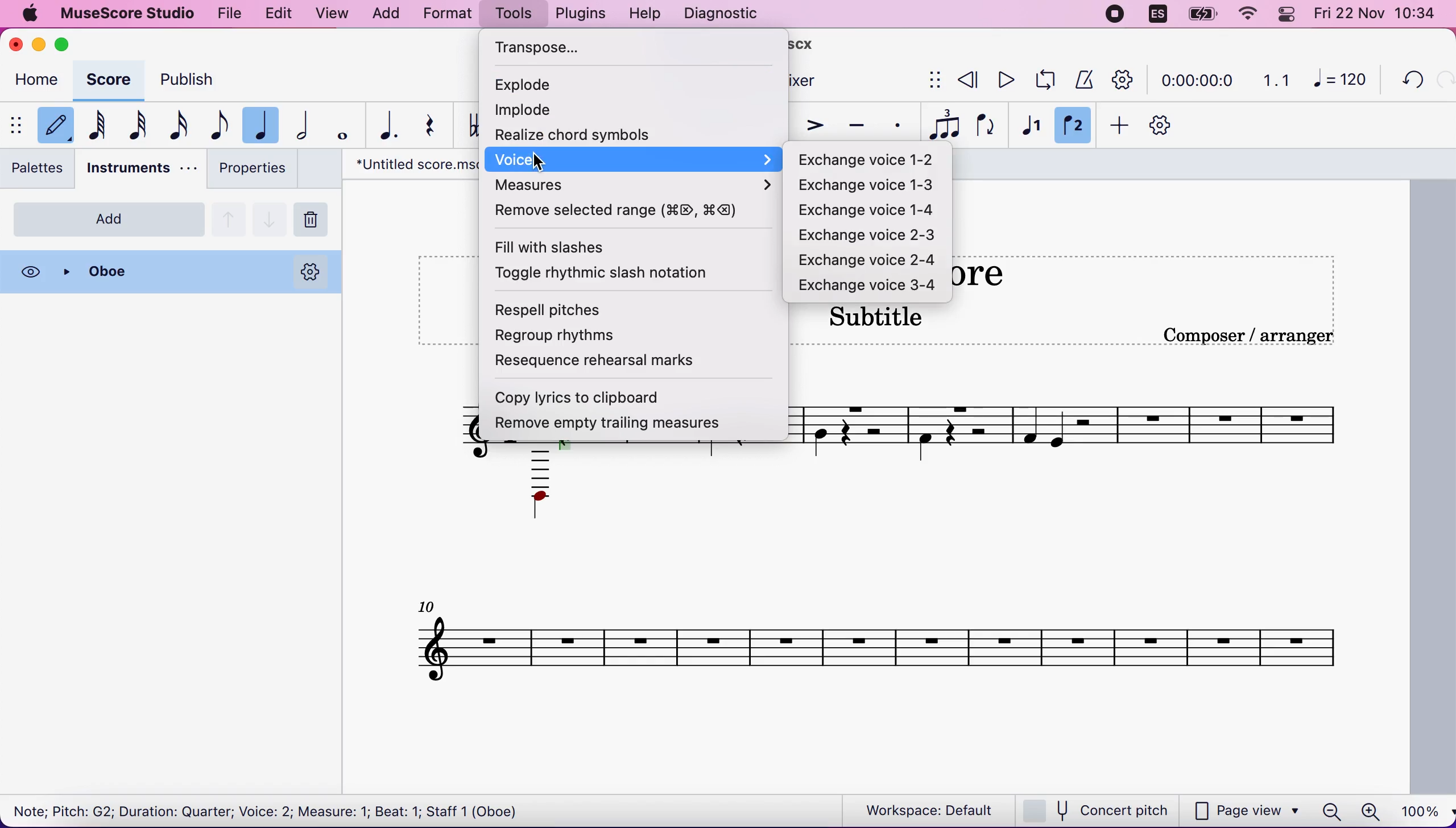 The image size is (1456, 828). Describe the element at coordinates (917, 809) in the screenshot. I see `workspace: default` at that location.